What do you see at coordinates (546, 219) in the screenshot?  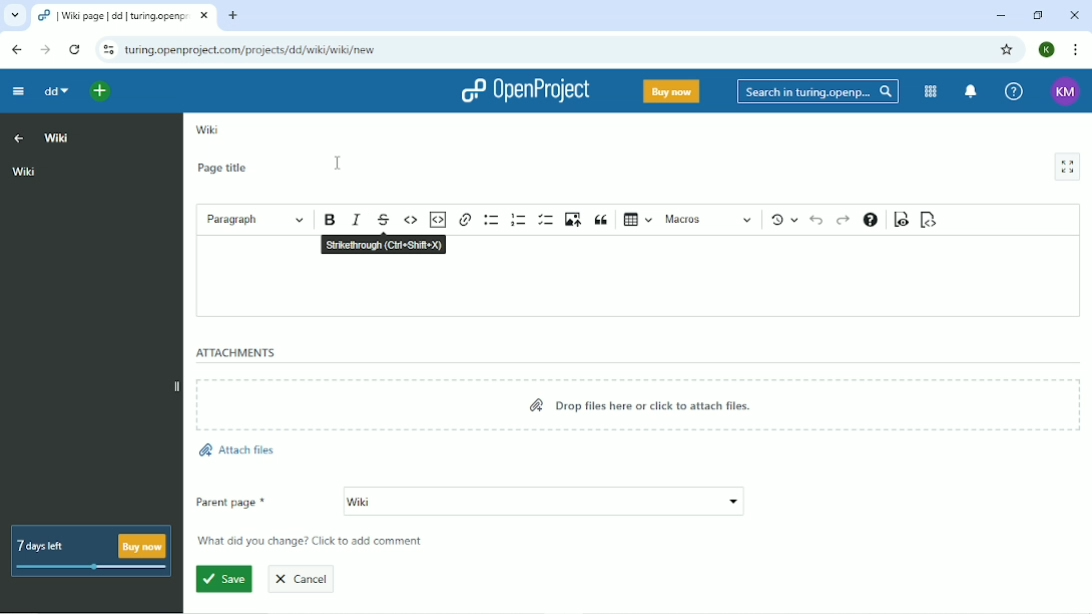 I see `To-do list` at bounding box center [546, 219].